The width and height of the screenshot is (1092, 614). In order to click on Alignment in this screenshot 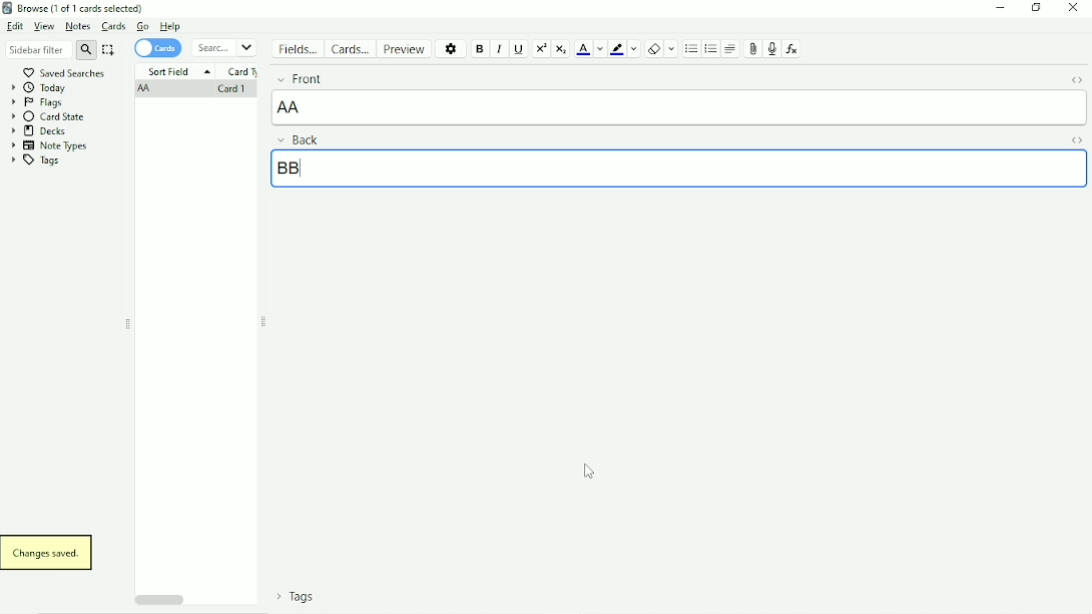, I will do `click(731, 48)`.